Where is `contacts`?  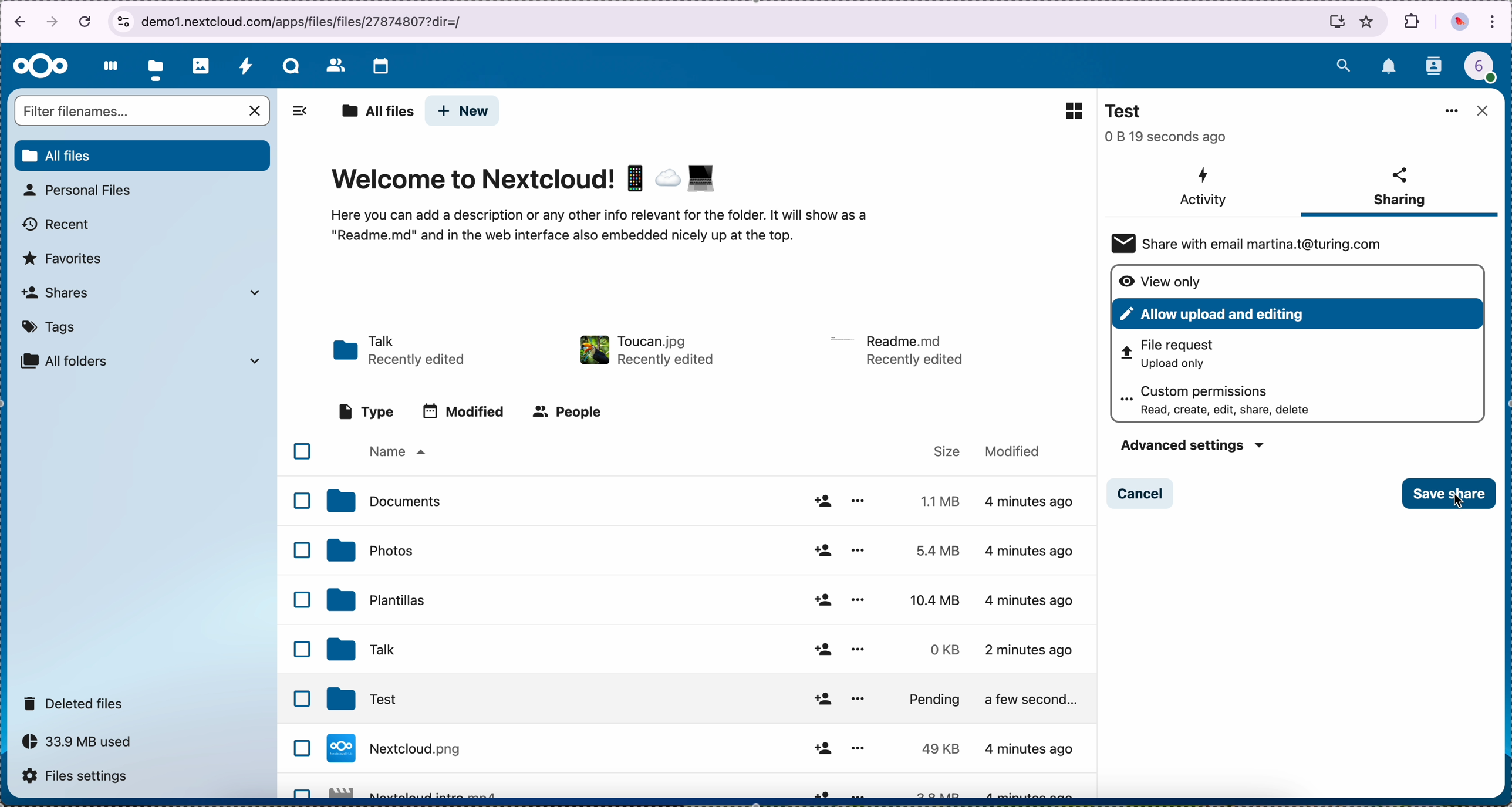
contacts is located at coordinates (335, 65).